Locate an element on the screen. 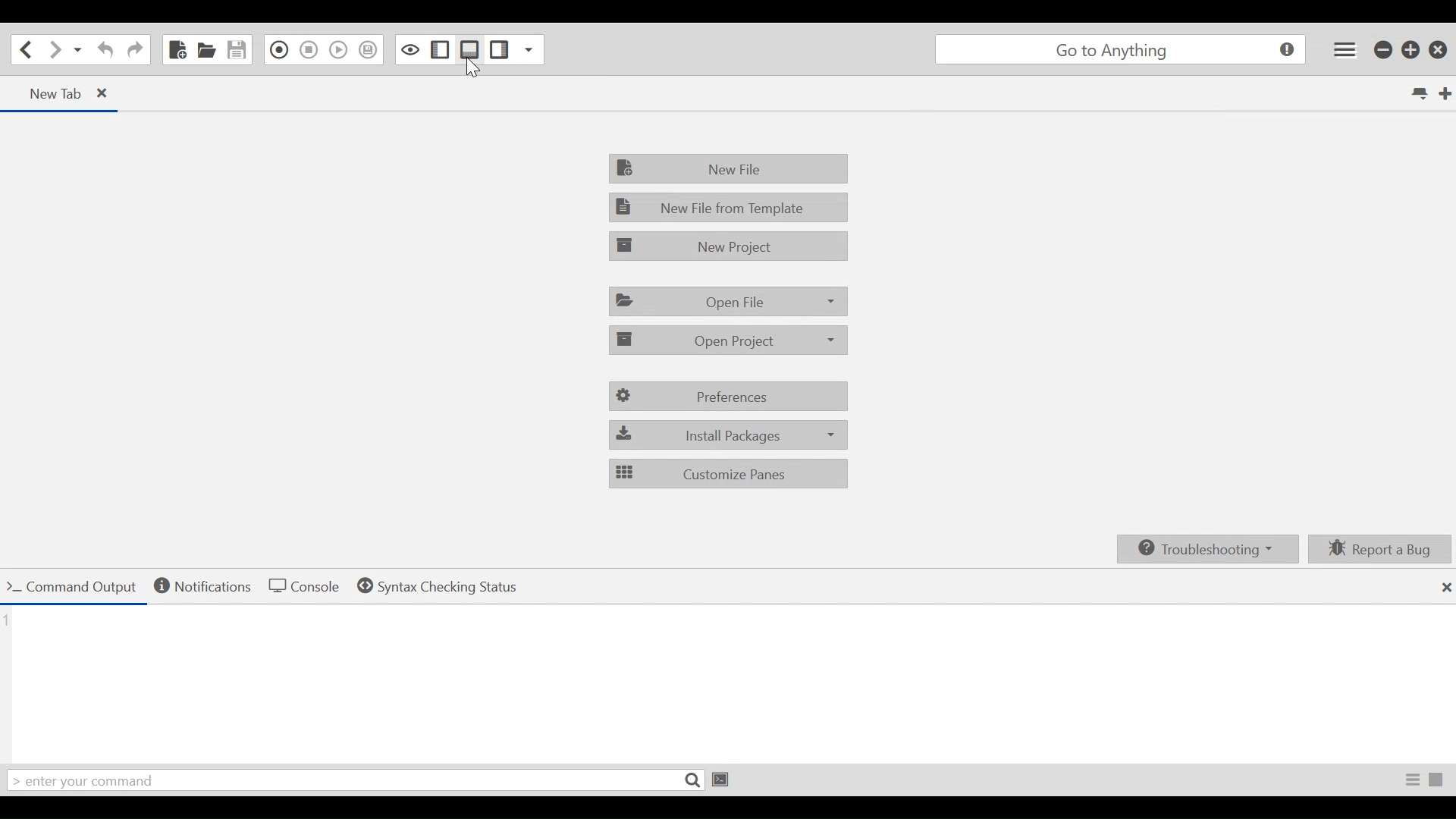 Image resolution: width=1456 pixels, height=819 pixels. Minimize is located at coordinates (1384, 50).